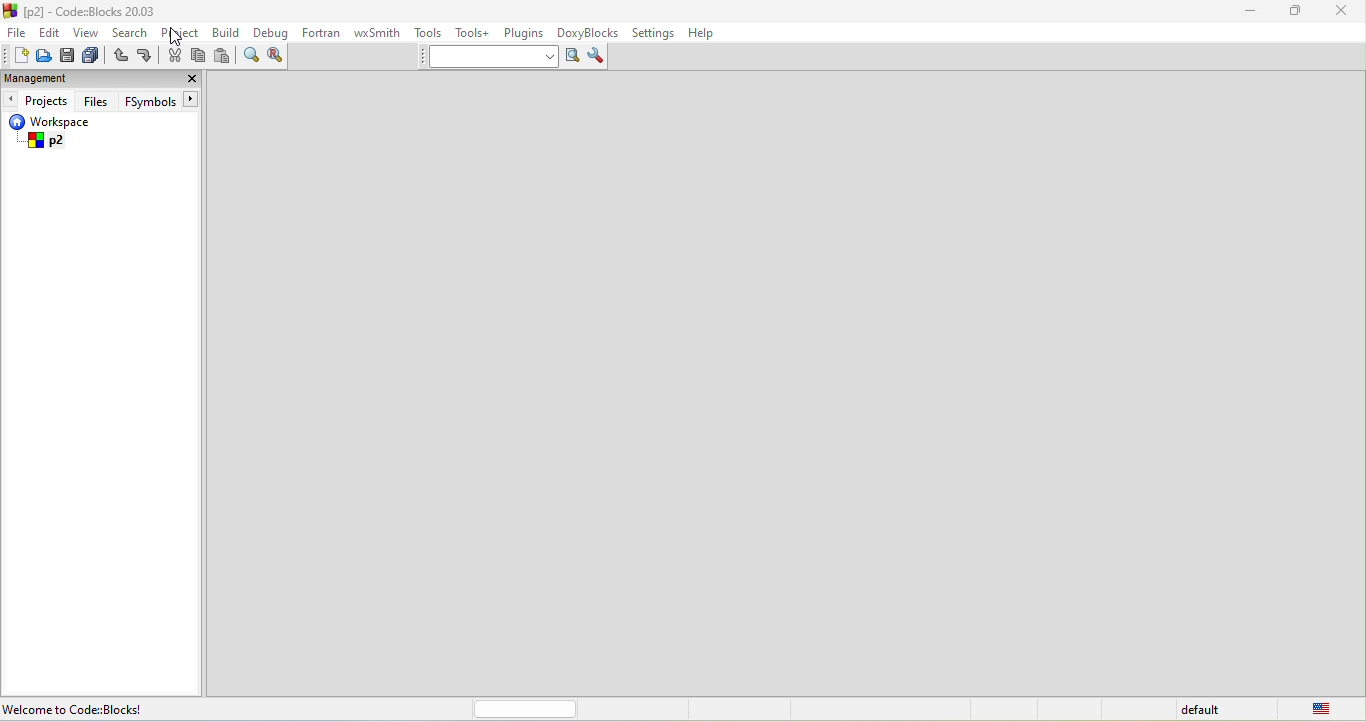 This screenshot has height=722, width=1366. Describe the element at coordinates (572, 58) in the screenshot. I see `run search` at that location.